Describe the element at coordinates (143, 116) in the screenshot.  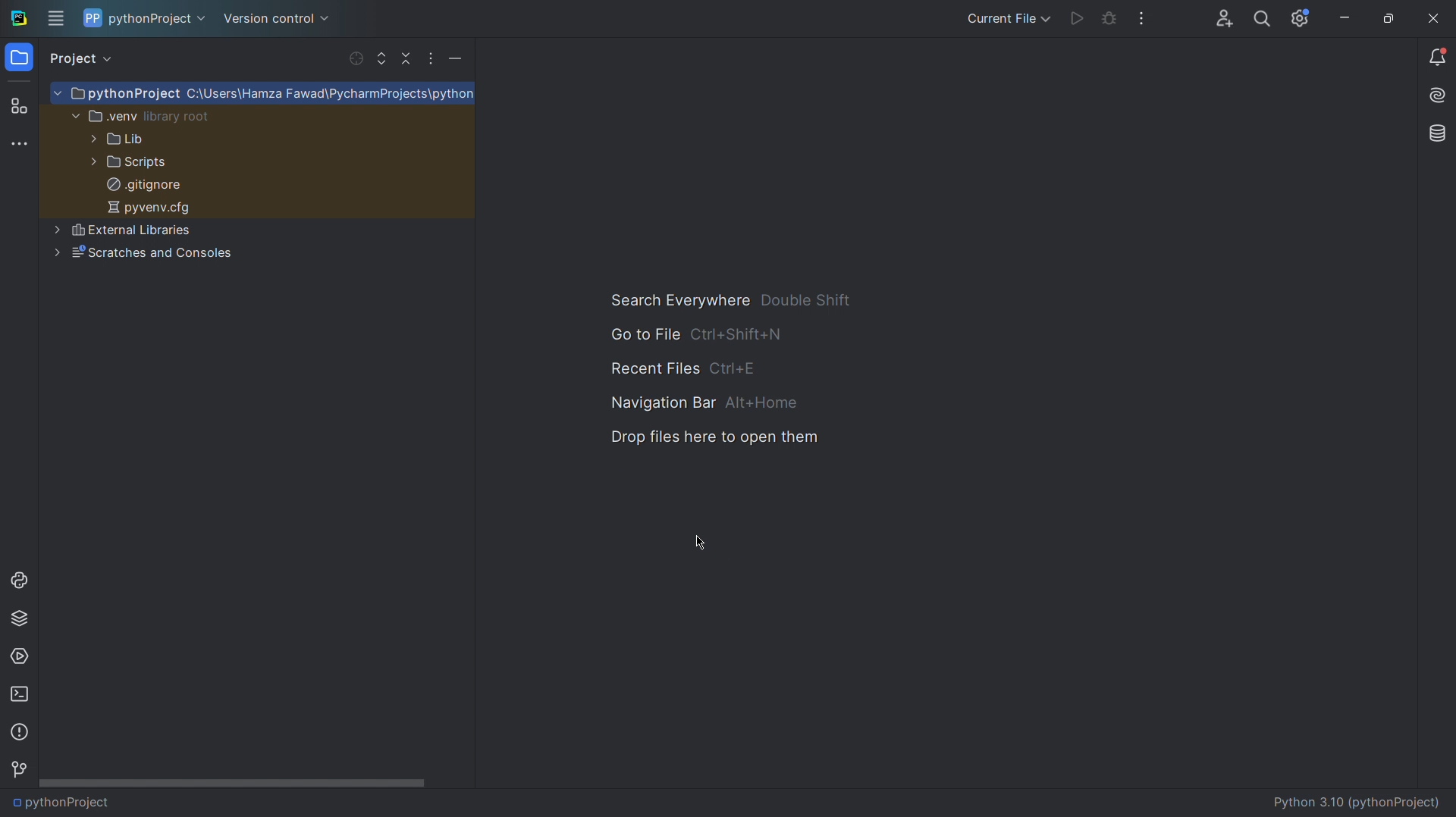
I see `venv library root` at that location.